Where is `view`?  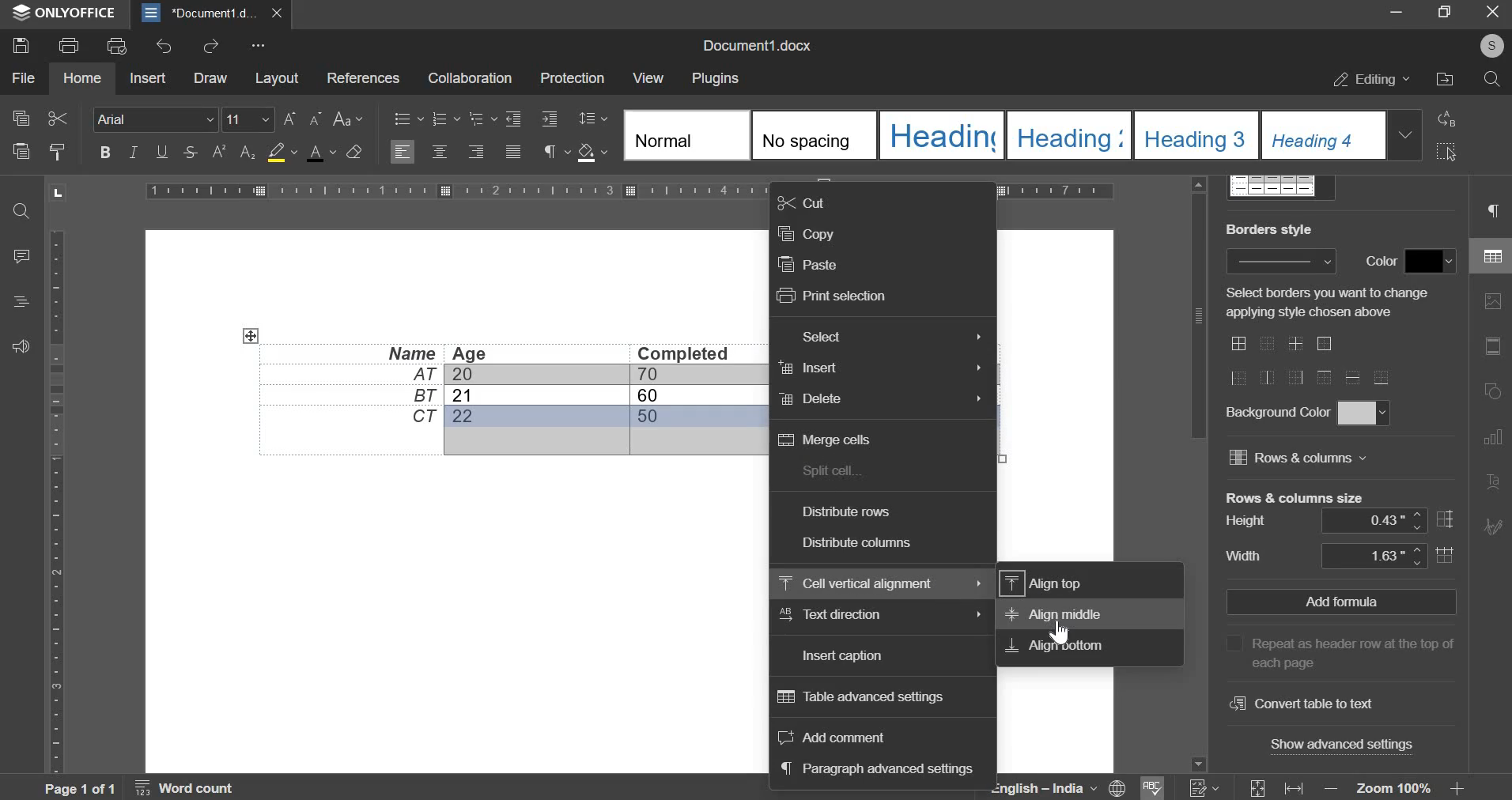
view is located at coordinates (647, 77).